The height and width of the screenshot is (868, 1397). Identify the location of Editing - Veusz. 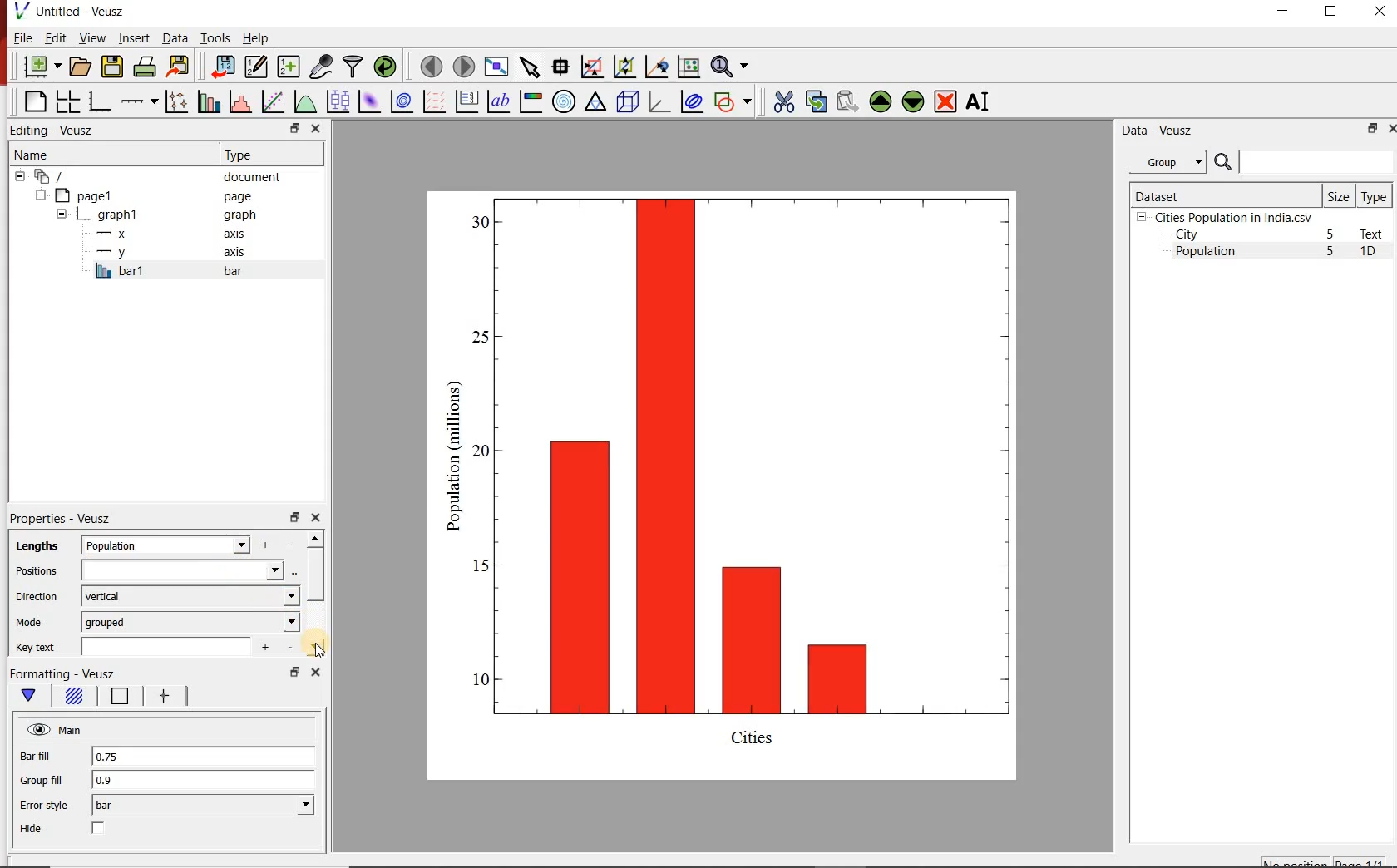
(61, 130).